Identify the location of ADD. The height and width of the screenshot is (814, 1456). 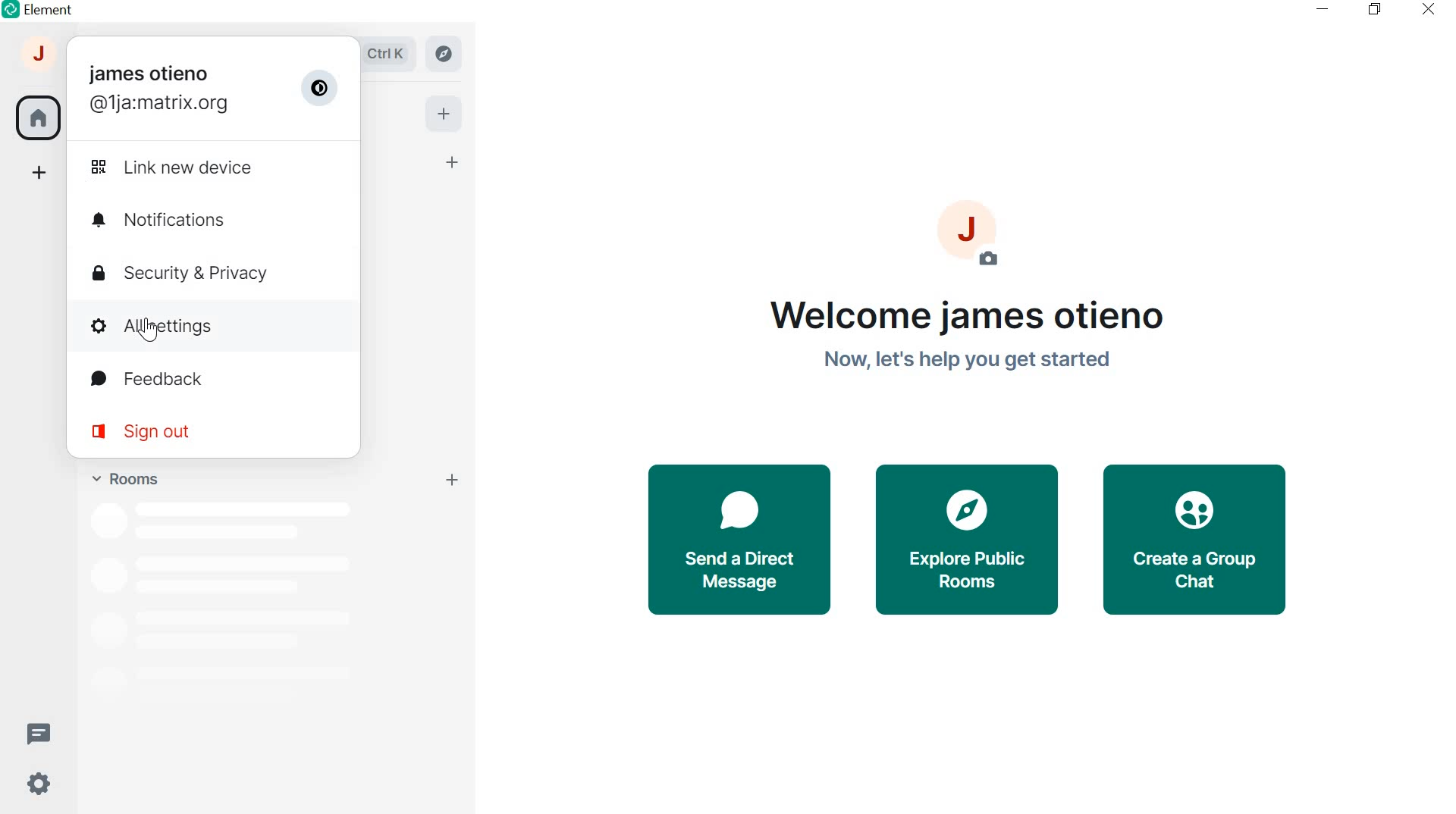
(442, 112).